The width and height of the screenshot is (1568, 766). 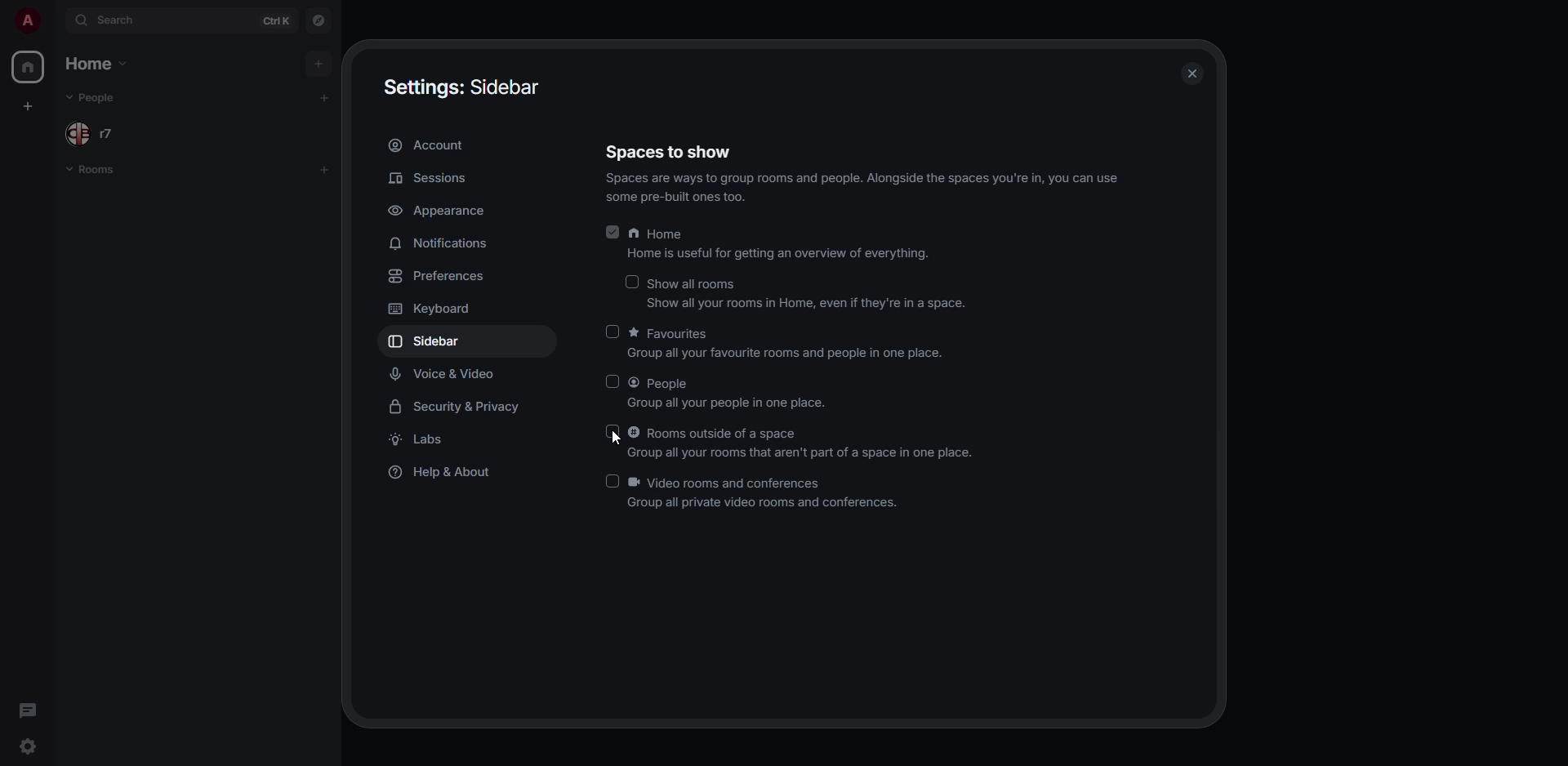 What do you see at coordinates (28, 108) in the screenshot?
I see `create space` at bounding box center [28, 108].